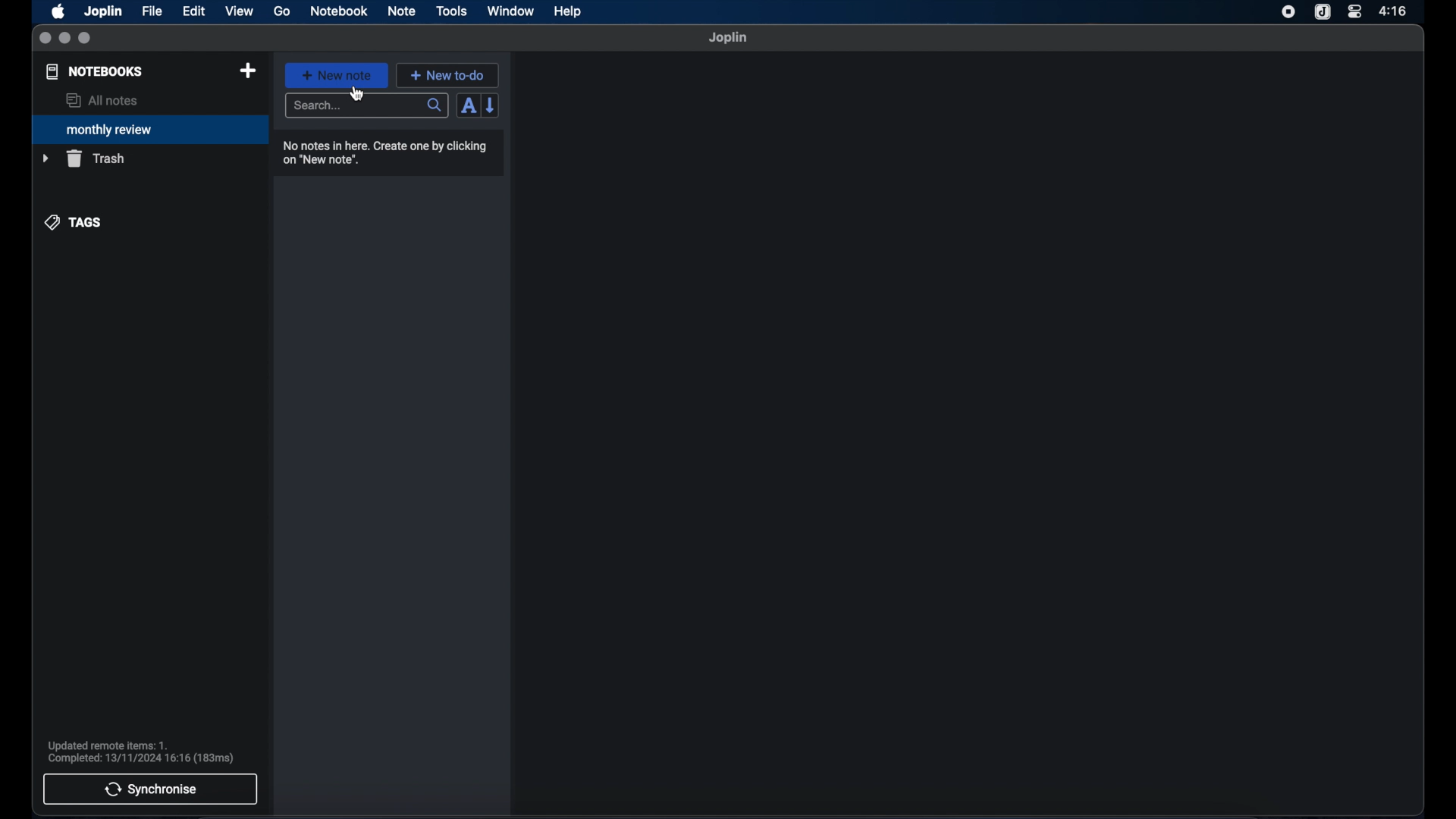 This screenshot has width=1456, height=819. I want to click on notebook, so click(339, 11).